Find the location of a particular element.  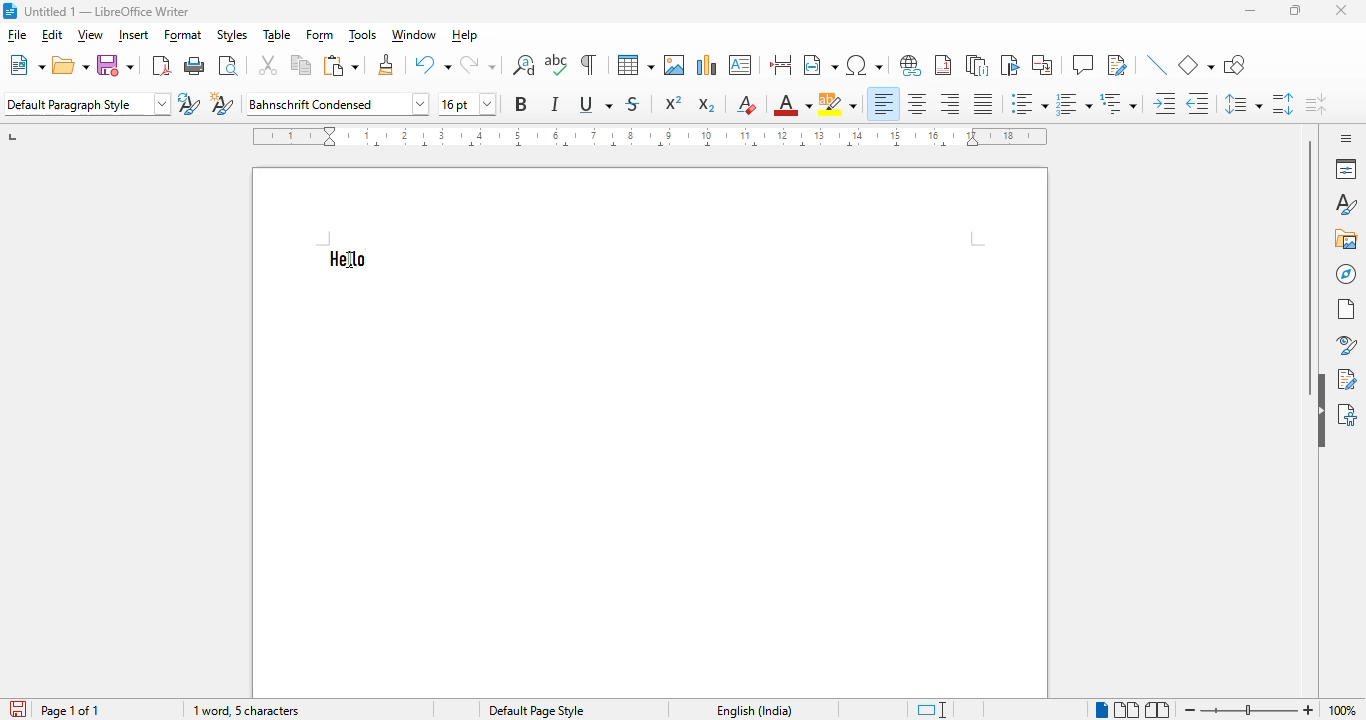

italic is located at coordinates (557, 103).